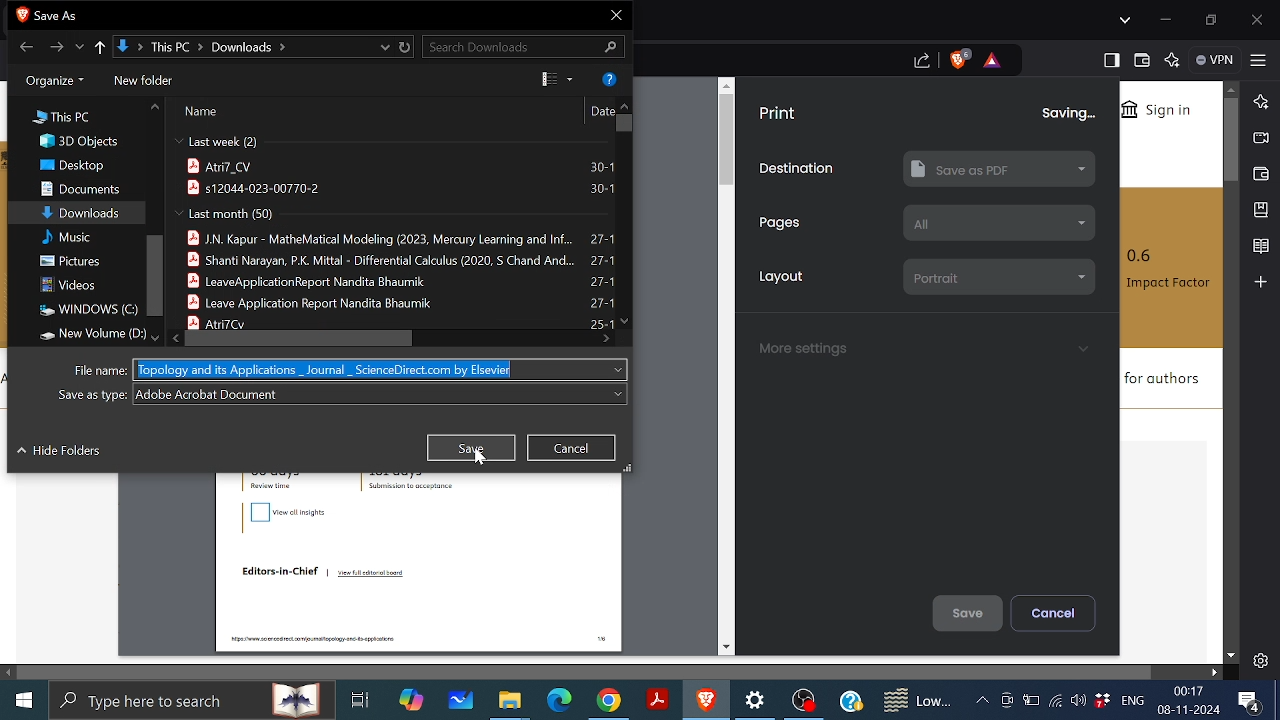 The width and height of the screenshot is (1280, 720). I want to click on More settings, so click(924, 352).